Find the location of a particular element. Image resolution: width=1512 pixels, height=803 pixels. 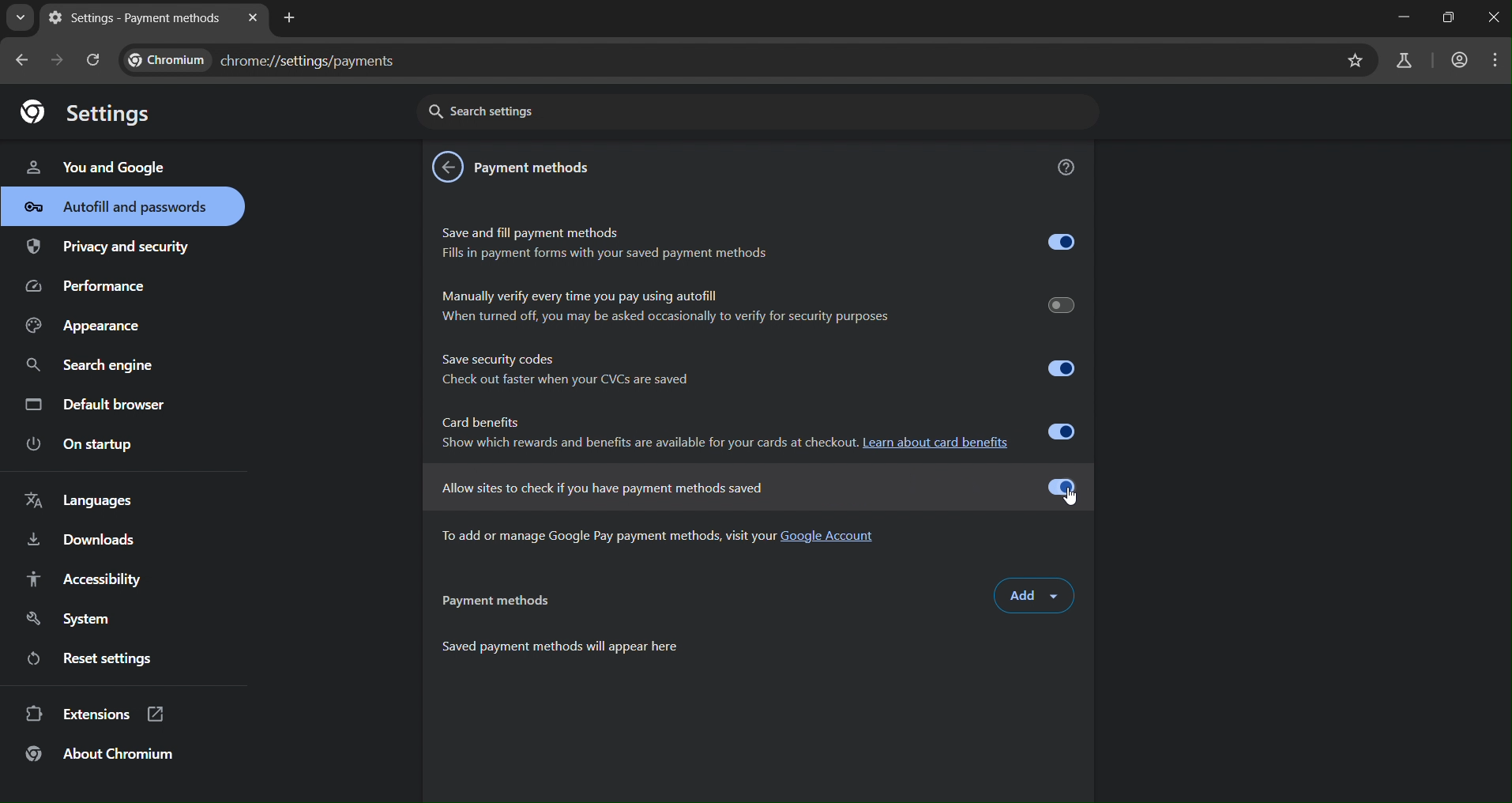

reload page is located at coordinates (96, 60).